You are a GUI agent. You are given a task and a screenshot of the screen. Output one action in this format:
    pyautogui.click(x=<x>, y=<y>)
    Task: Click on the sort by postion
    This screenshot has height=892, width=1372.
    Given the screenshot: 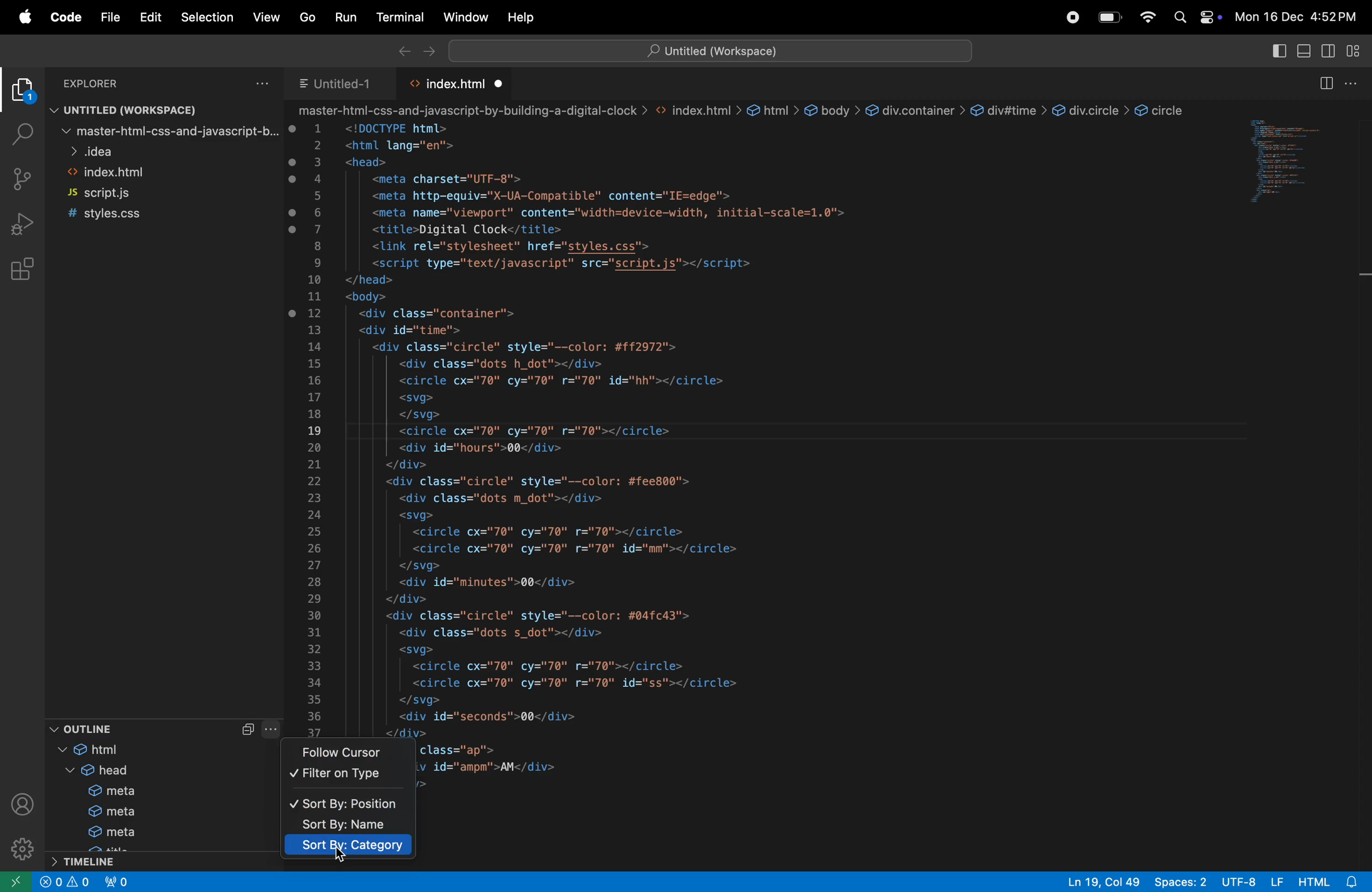 What is the action you would take?
    pyautogui.click(x=348, y=805)
    